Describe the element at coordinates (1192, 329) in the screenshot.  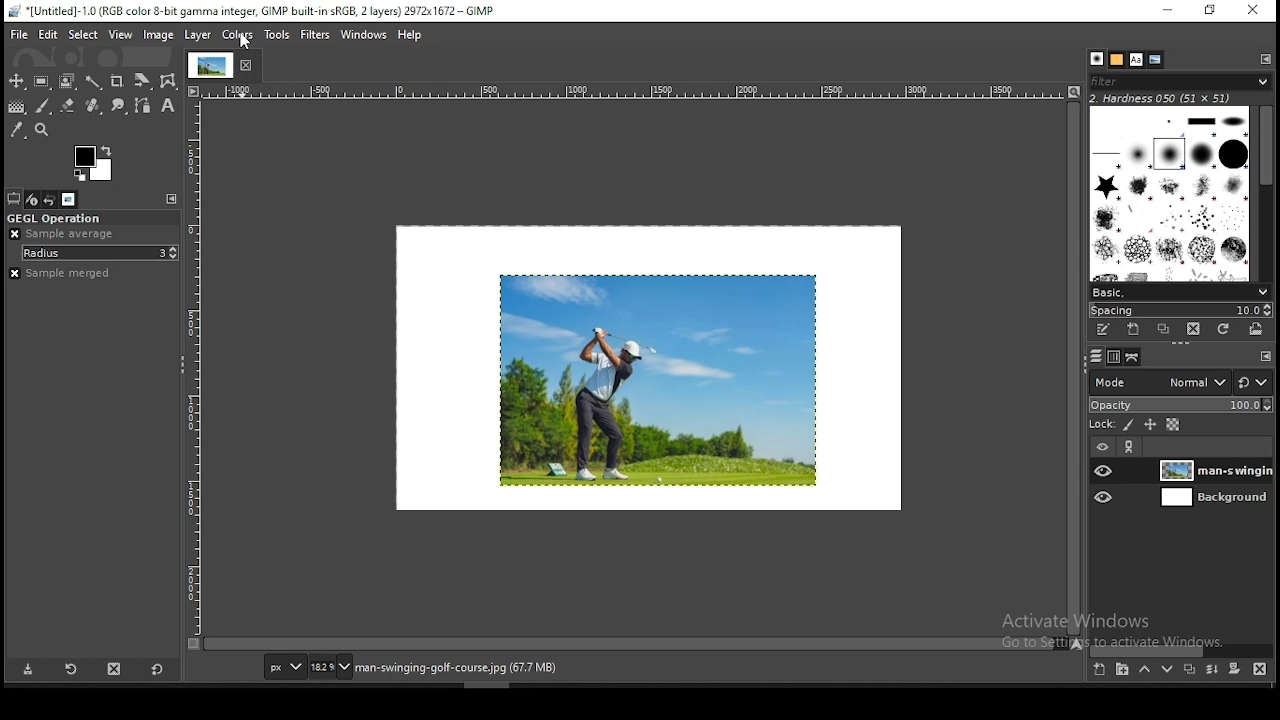
I see `delete brush` at that location.